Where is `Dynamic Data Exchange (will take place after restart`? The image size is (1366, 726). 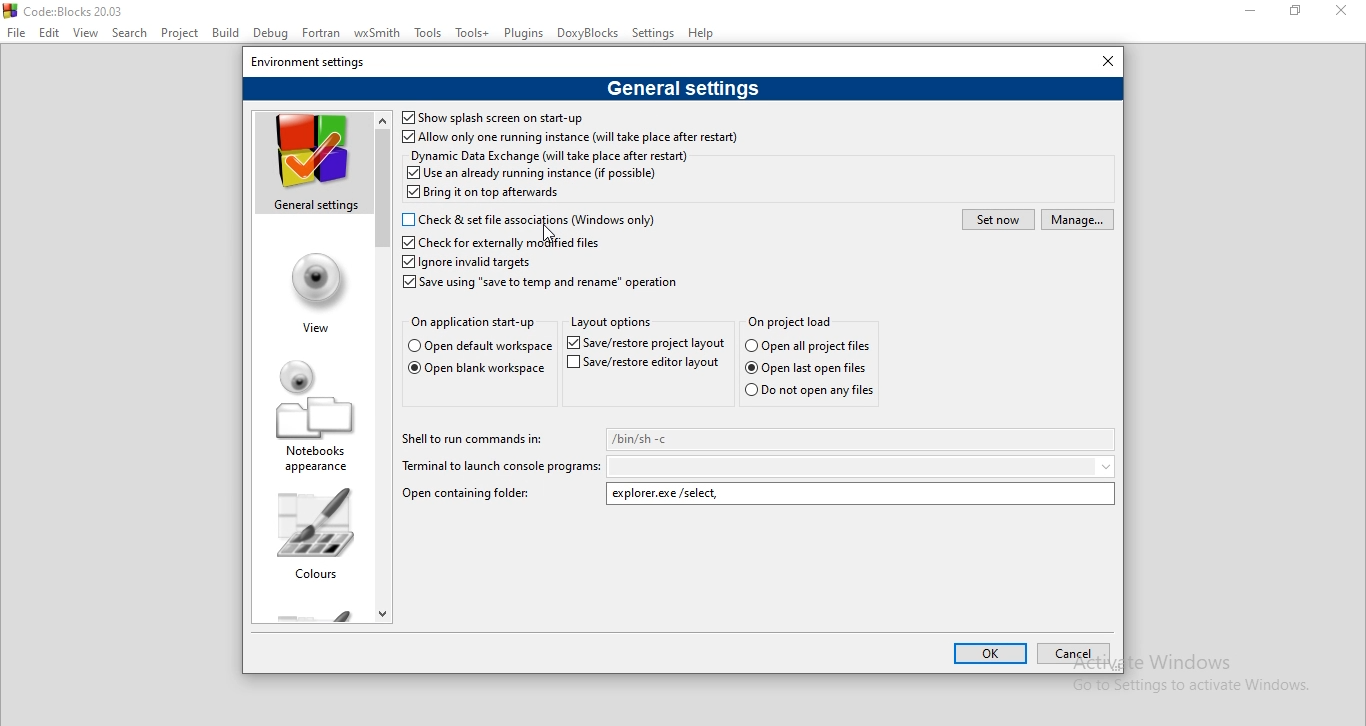 Dynamic Data Exchange (will take place after restart is located at coordinates (549, 155).